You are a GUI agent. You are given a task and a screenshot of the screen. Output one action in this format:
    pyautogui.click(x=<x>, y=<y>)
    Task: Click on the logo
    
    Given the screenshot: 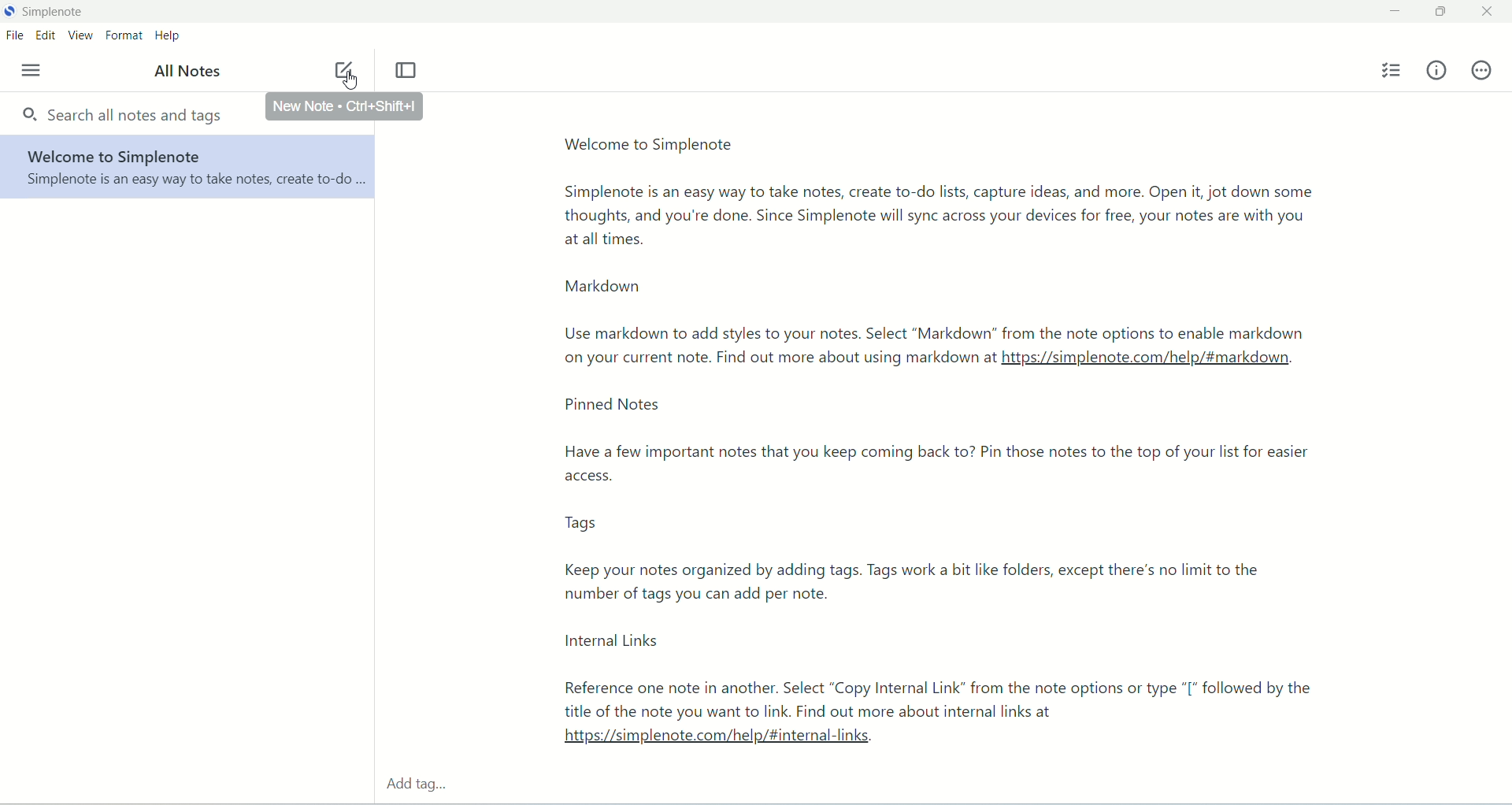 What is the action you would take?
    pyautogui.click(x=10, y=11)
    